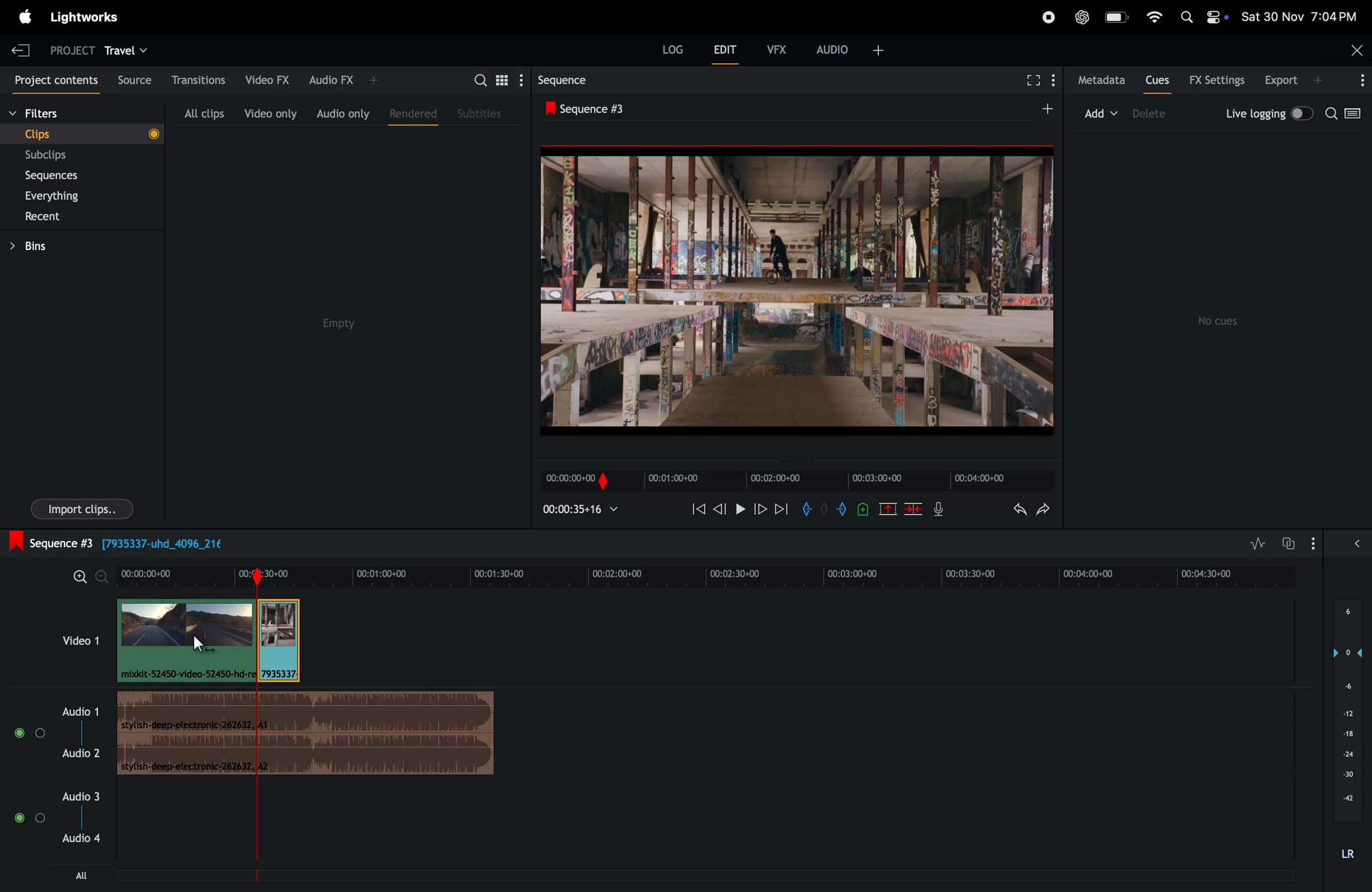 Image resolution: width=1372 pixels, height=892 pixels. Describe the element at coordinates (1347, 116) in the screenshot. I see `search` at that location.